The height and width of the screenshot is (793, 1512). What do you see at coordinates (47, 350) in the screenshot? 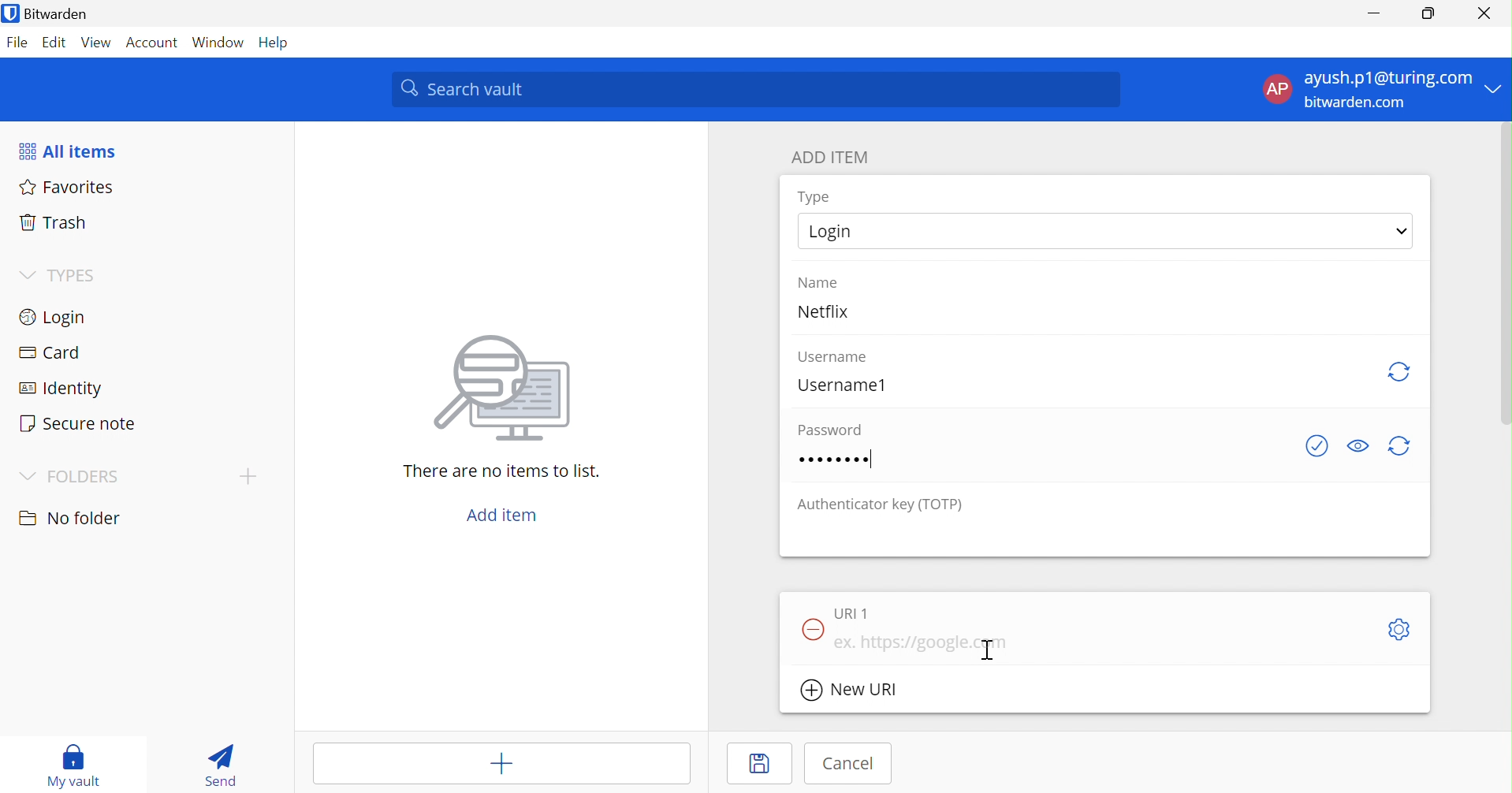
I see `Card` at bounding box center [47, 350].